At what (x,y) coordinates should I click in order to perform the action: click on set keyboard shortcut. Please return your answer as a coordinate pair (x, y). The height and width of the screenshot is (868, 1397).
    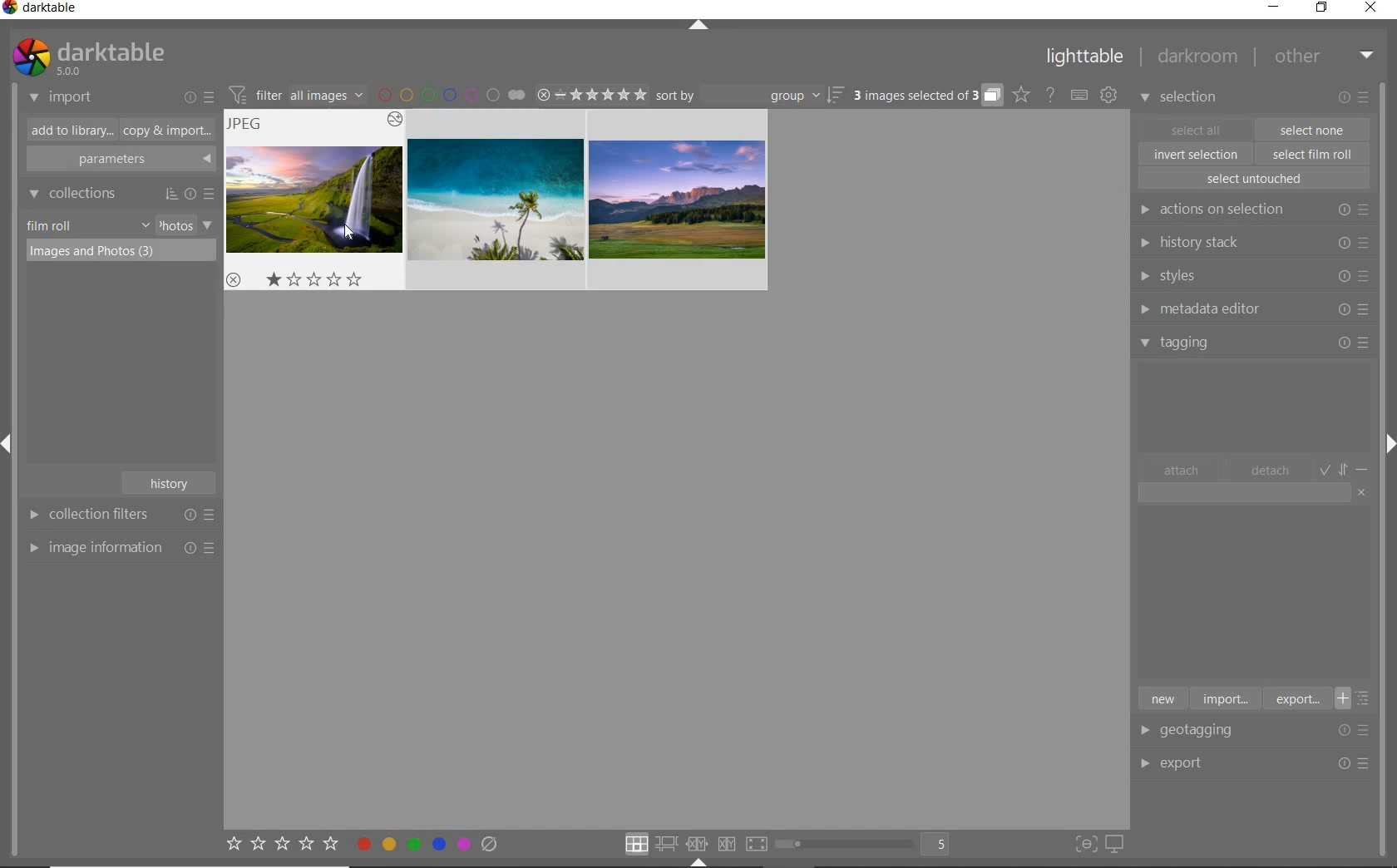
    Looking at the image, I should click on (1079, 96).